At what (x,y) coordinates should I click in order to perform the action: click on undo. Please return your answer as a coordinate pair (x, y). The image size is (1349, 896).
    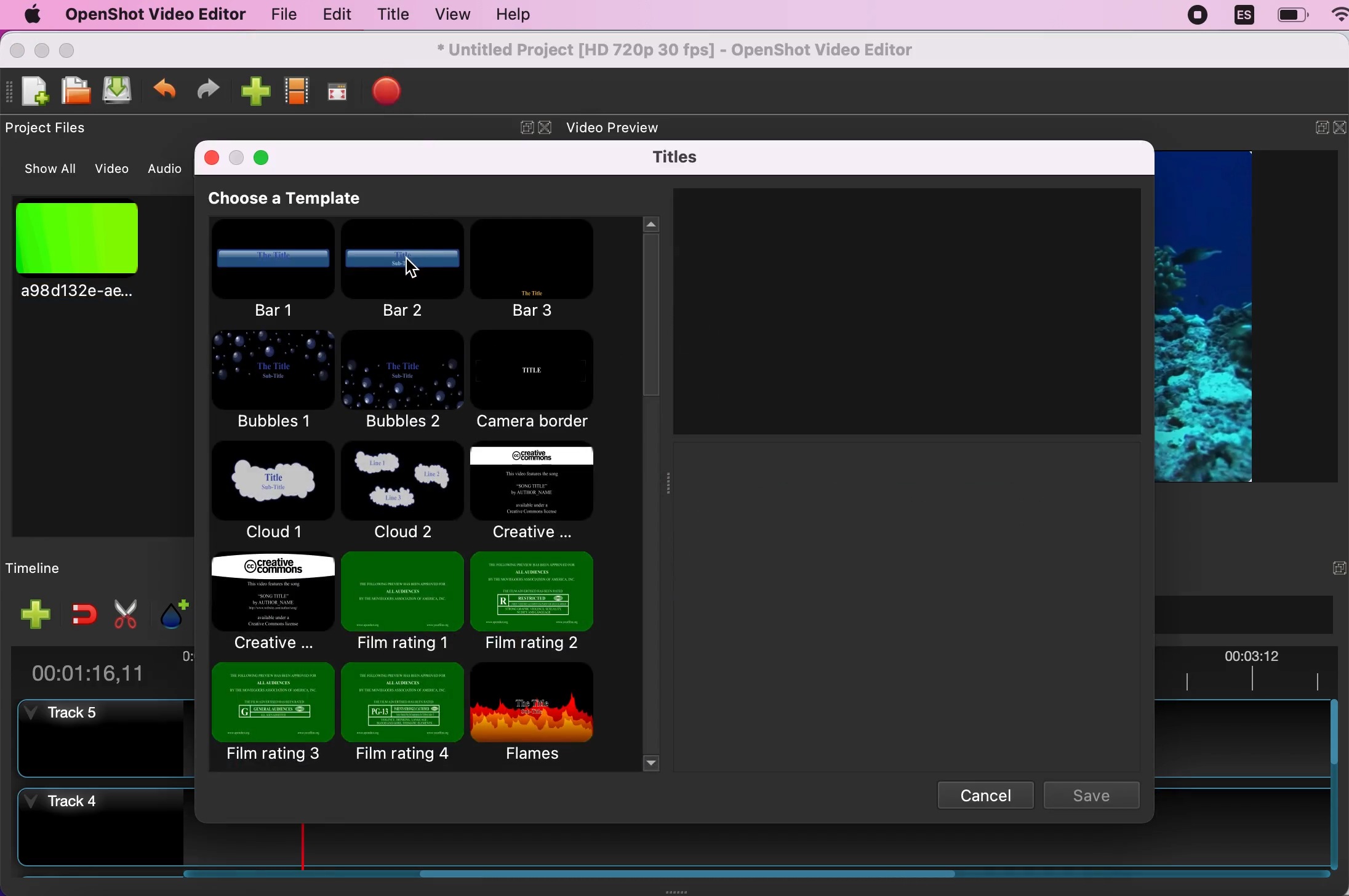
    Looking at the image, I should click on (166, 89).